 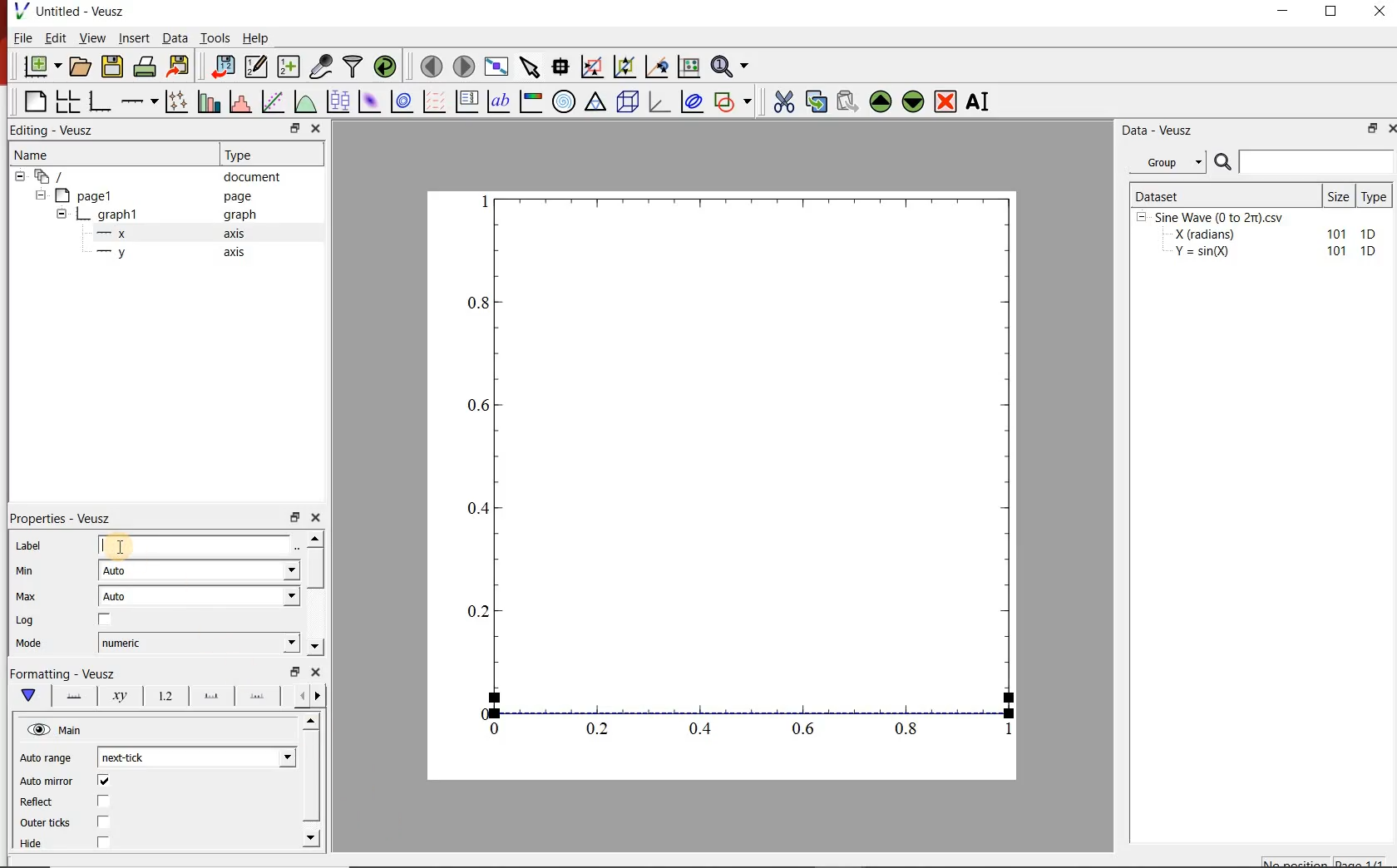 I want to click on add a shape to the plot, so click(x=736, y=101).